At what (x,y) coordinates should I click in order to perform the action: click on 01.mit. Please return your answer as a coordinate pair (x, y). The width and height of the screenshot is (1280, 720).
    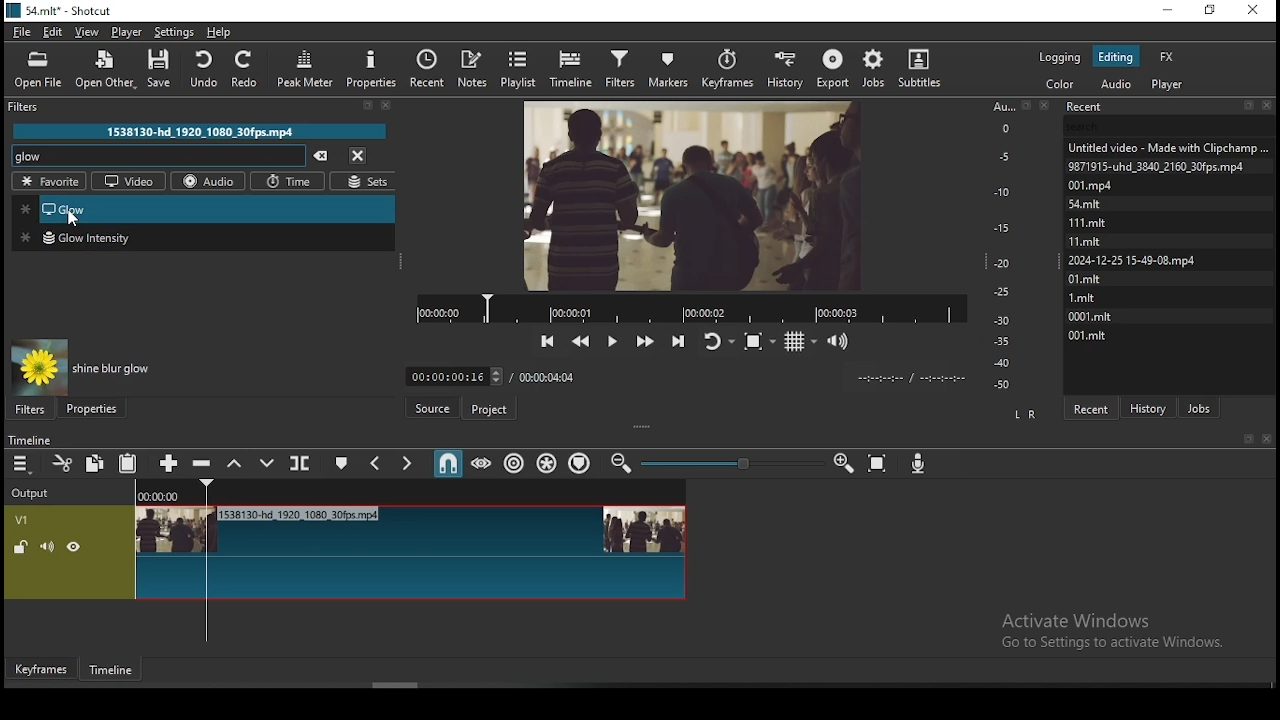
    Looking at the image, I should click on (1086, 278).